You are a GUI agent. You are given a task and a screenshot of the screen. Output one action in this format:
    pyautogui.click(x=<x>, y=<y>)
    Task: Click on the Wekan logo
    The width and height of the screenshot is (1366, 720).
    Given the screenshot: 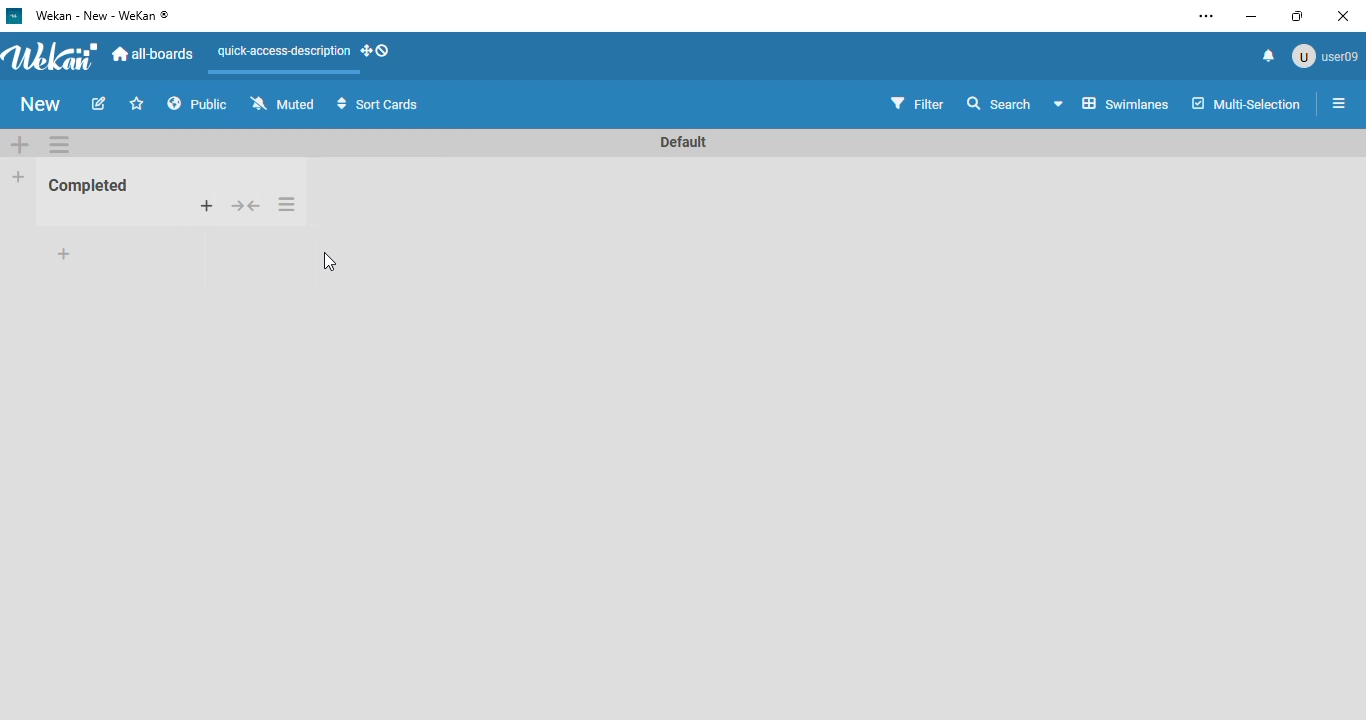 What is the action you would take?
    pyautogui.click(x=15, y=16)
    